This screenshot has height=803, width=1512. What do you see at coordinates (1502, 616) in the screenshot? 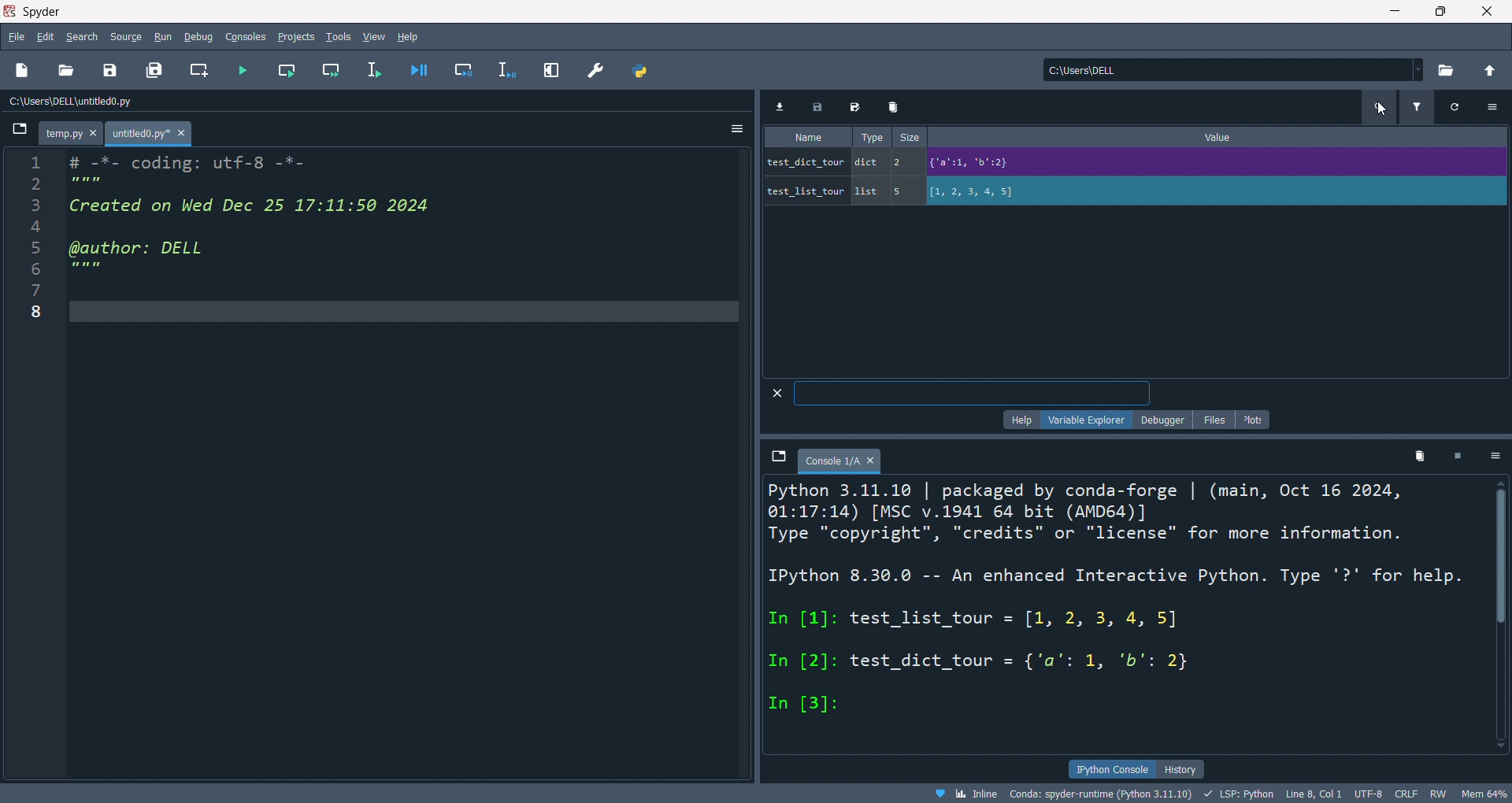
I see `vertical scroll bar` at bounding box center [1502, 616].